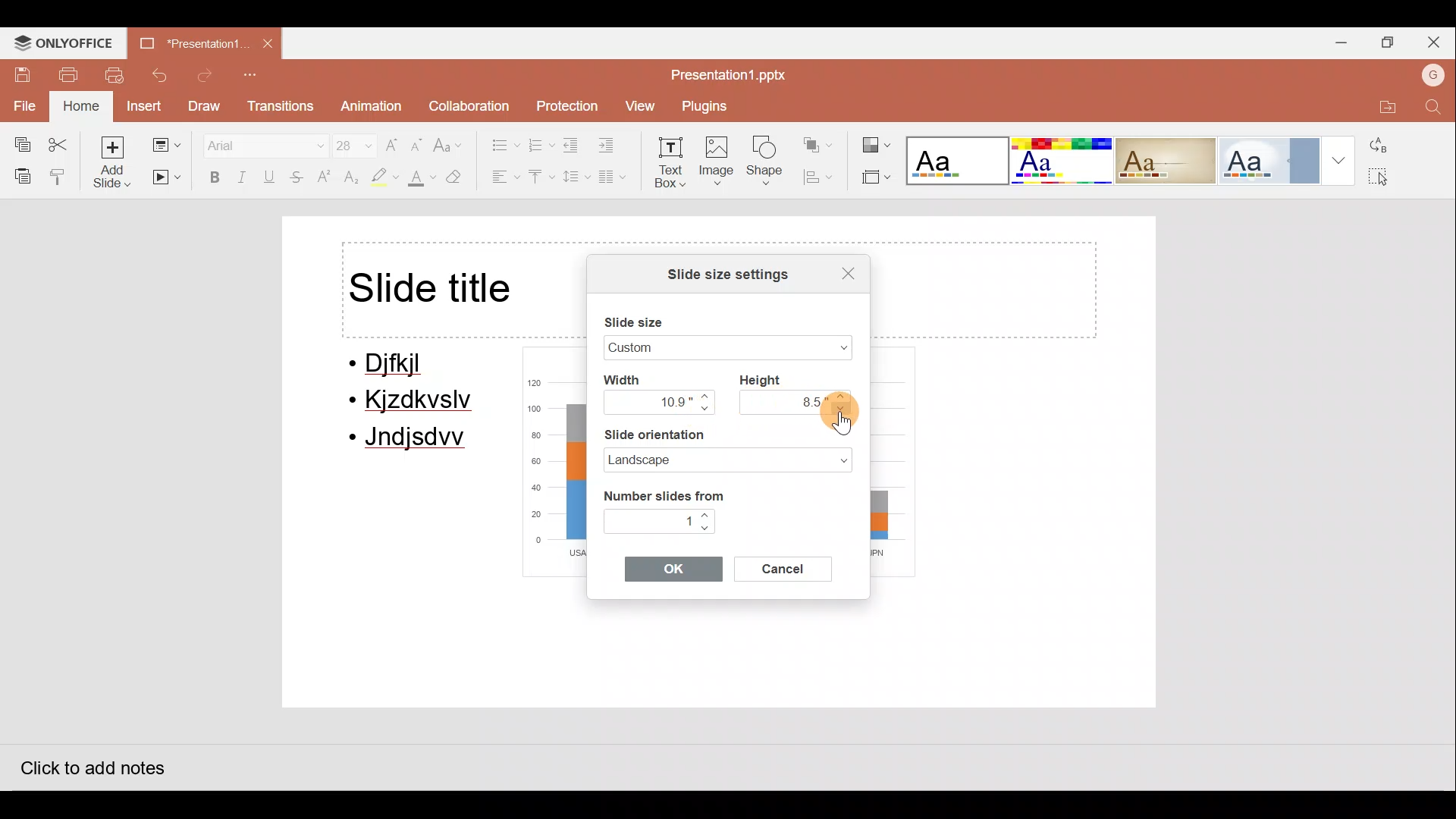 The width and height of the screenshot is (1456, 819). I want to click on Click to add notes, so click(90, 764).